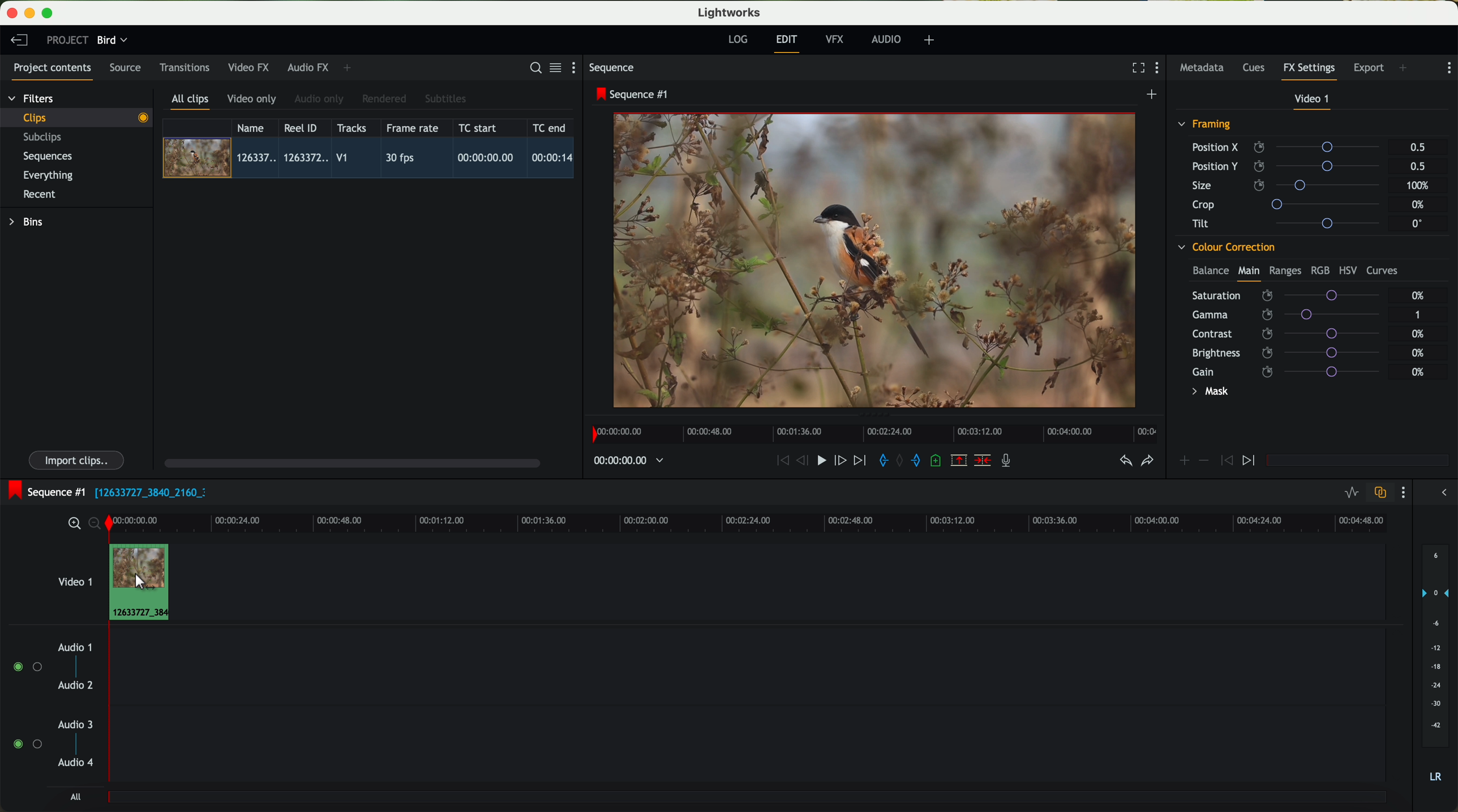  I want to click on 100%, so click(1421, 186).